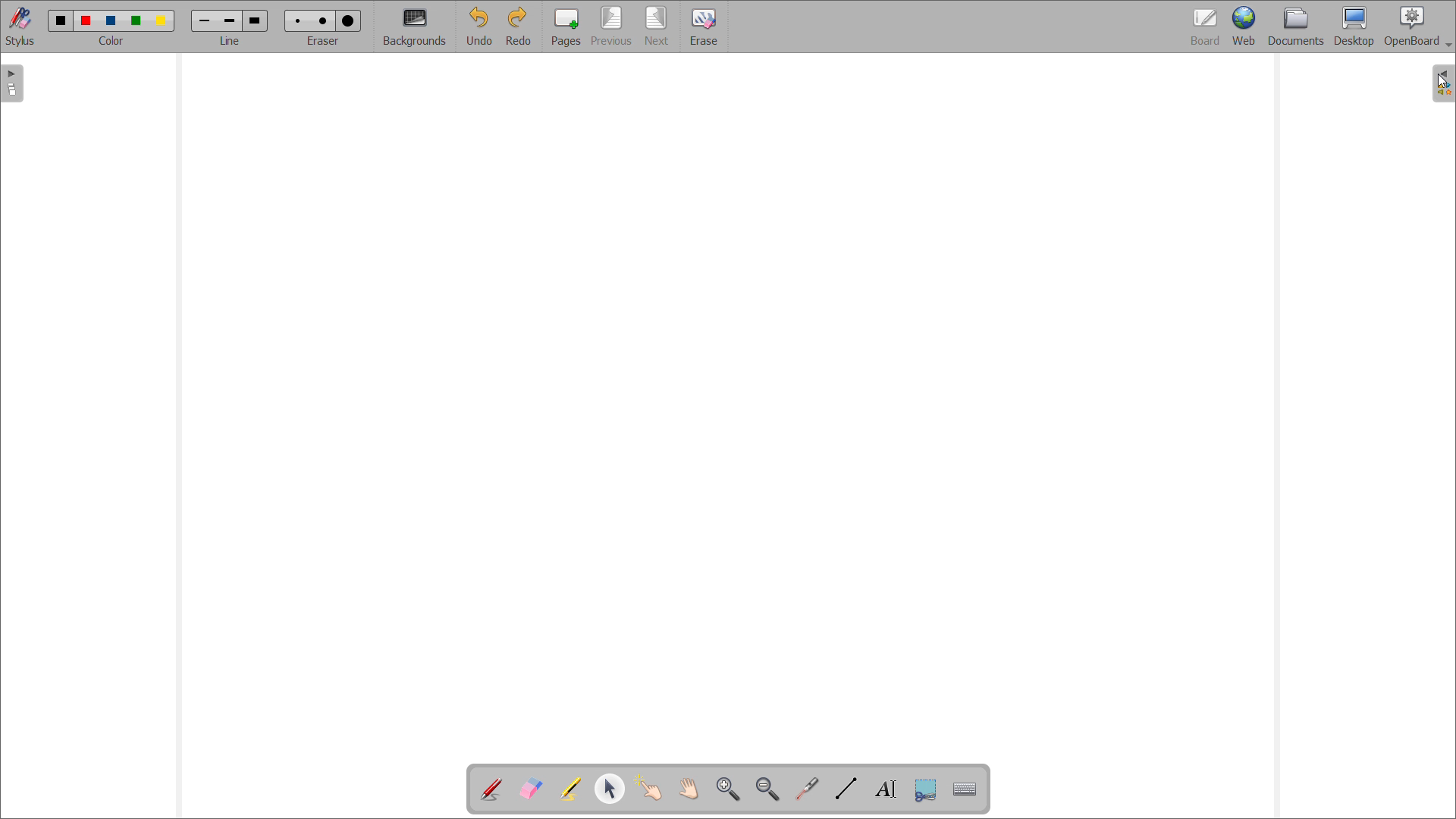  Describe the element at coordinates (886, 789) in the screenshot. I see `write text` at that location.